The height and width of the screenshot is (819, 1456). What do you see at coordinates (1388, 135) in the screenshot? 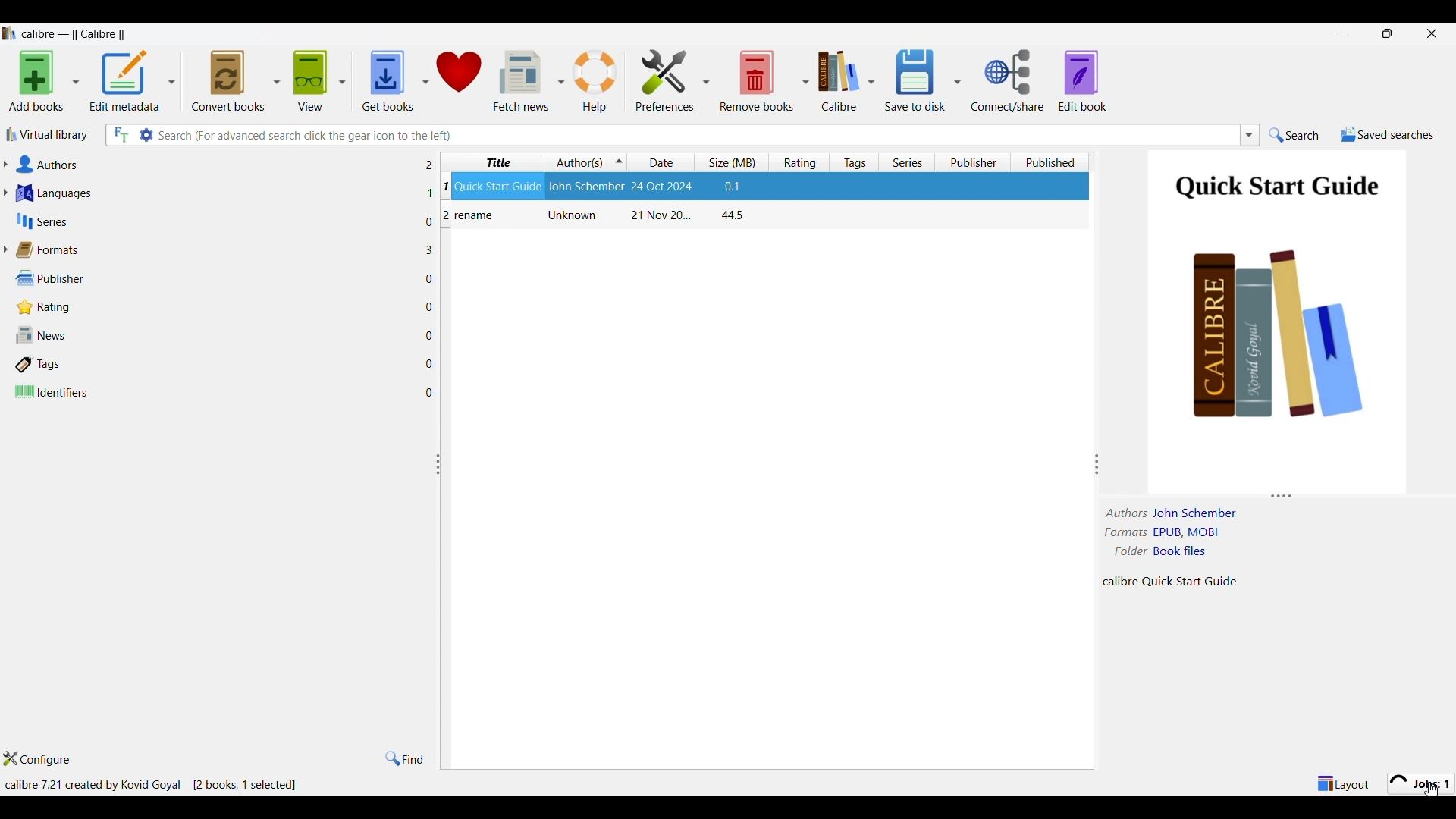
I see `Saved searches` at bounding box center [1388, 135].